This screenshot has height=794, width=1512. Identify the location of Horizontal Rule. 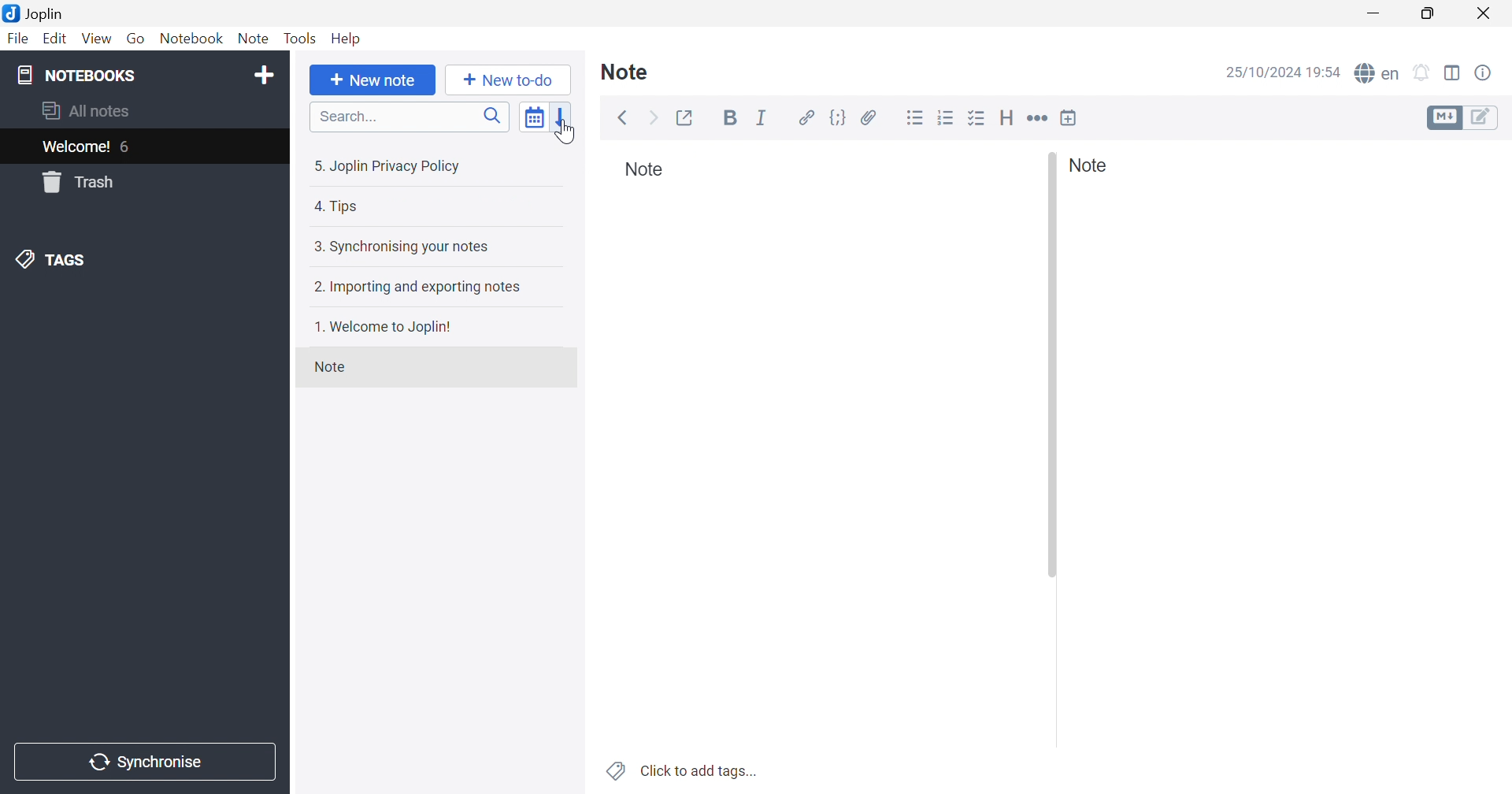
(1037, 120).